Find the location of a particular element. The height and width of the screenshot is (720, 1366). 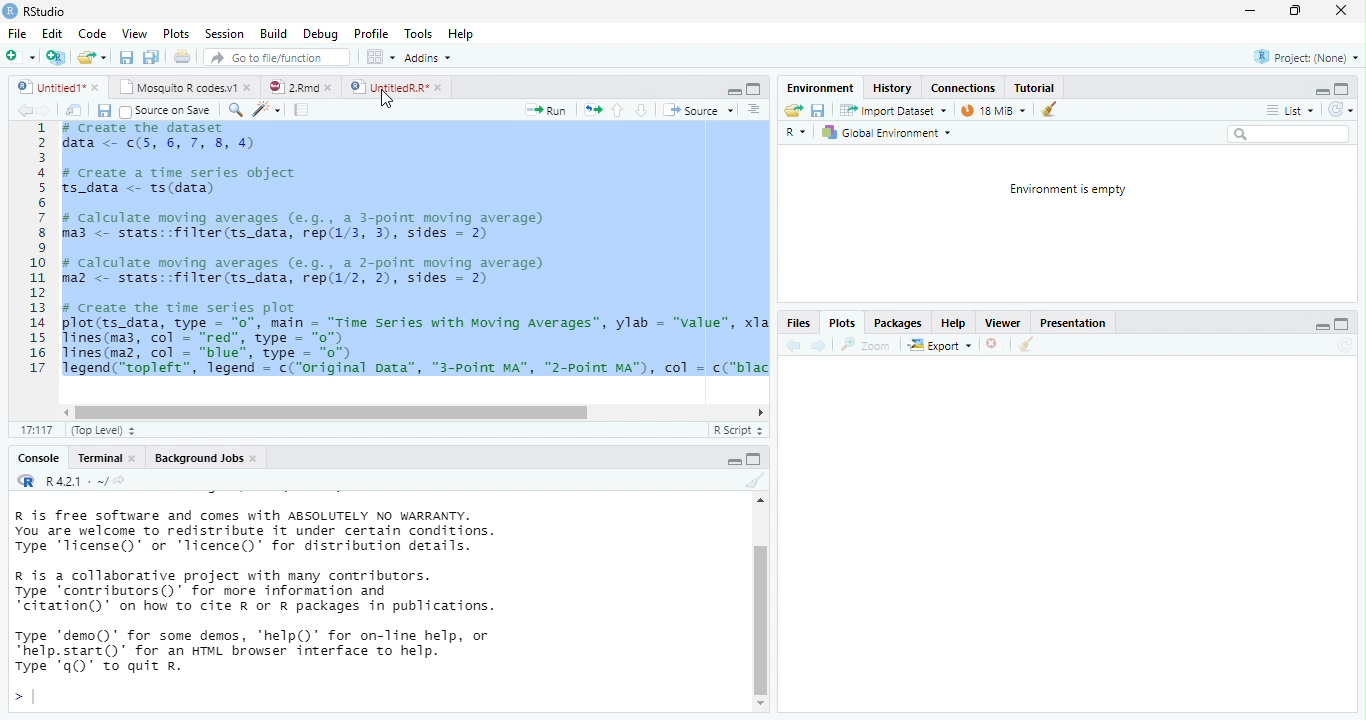

minimize is located at coordinates (1323, 329).